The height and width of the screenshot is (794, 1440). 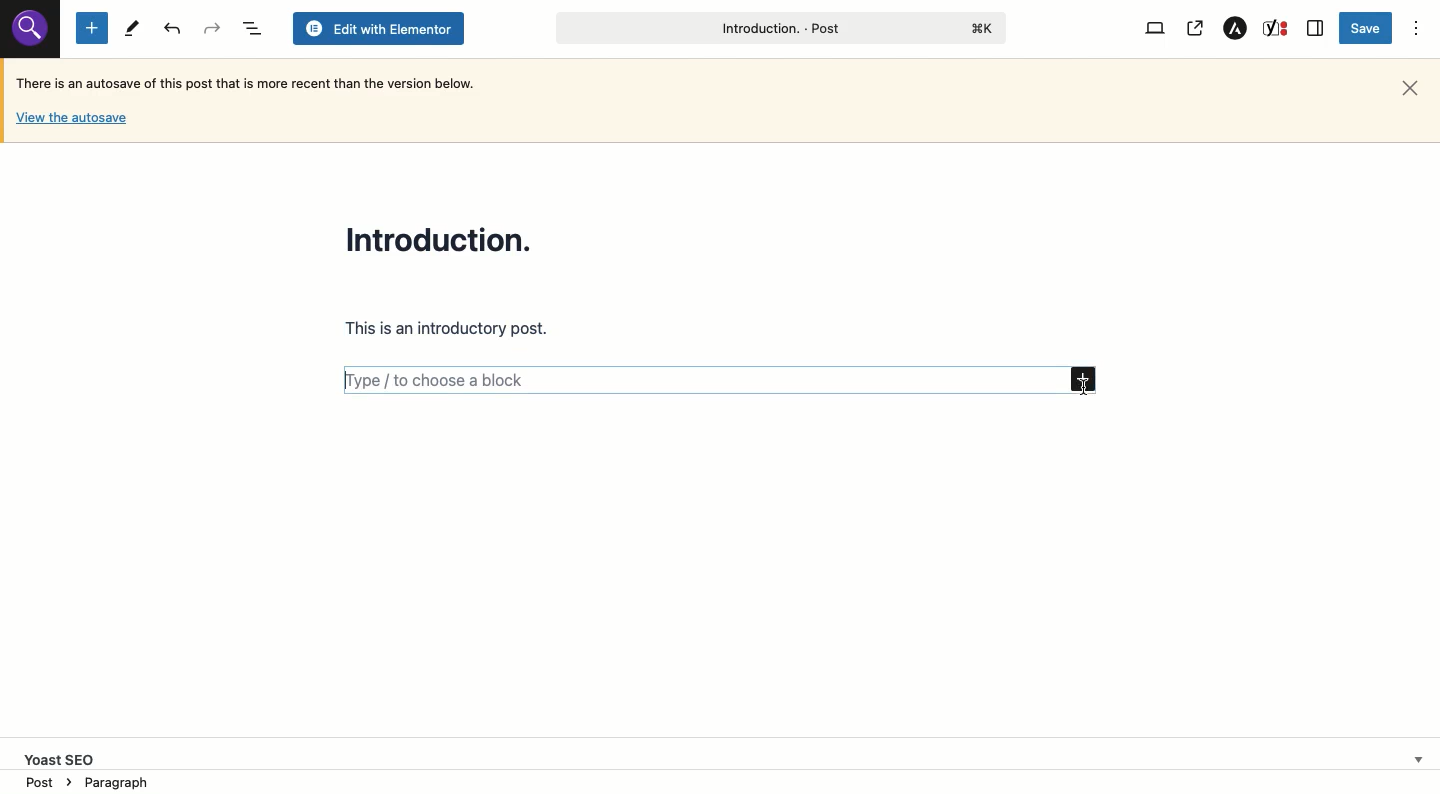 I want to click on Redo, so click(x=174, y=29).